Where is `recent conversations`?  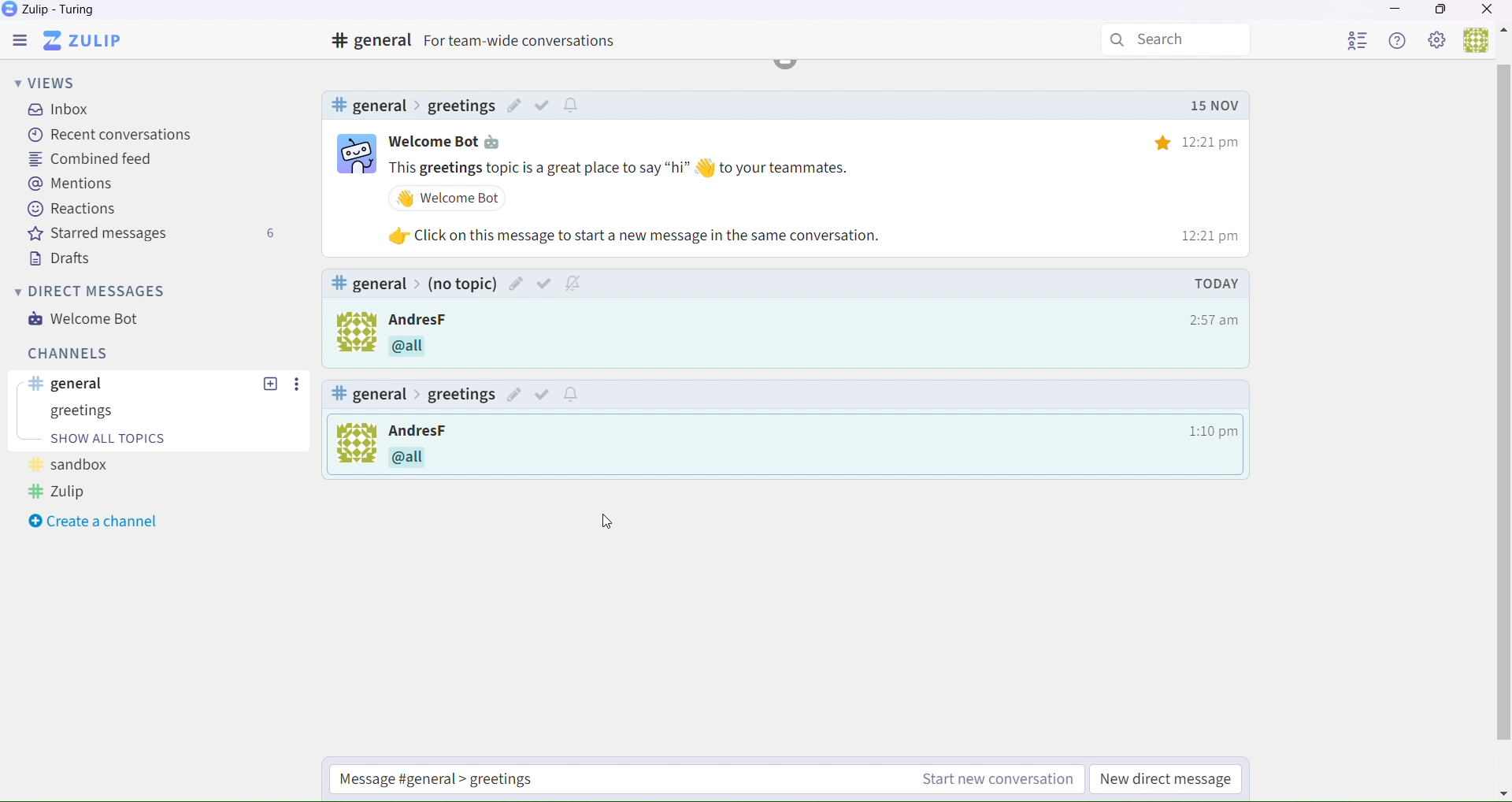
recent conversations is located at coordinates (110, 135).